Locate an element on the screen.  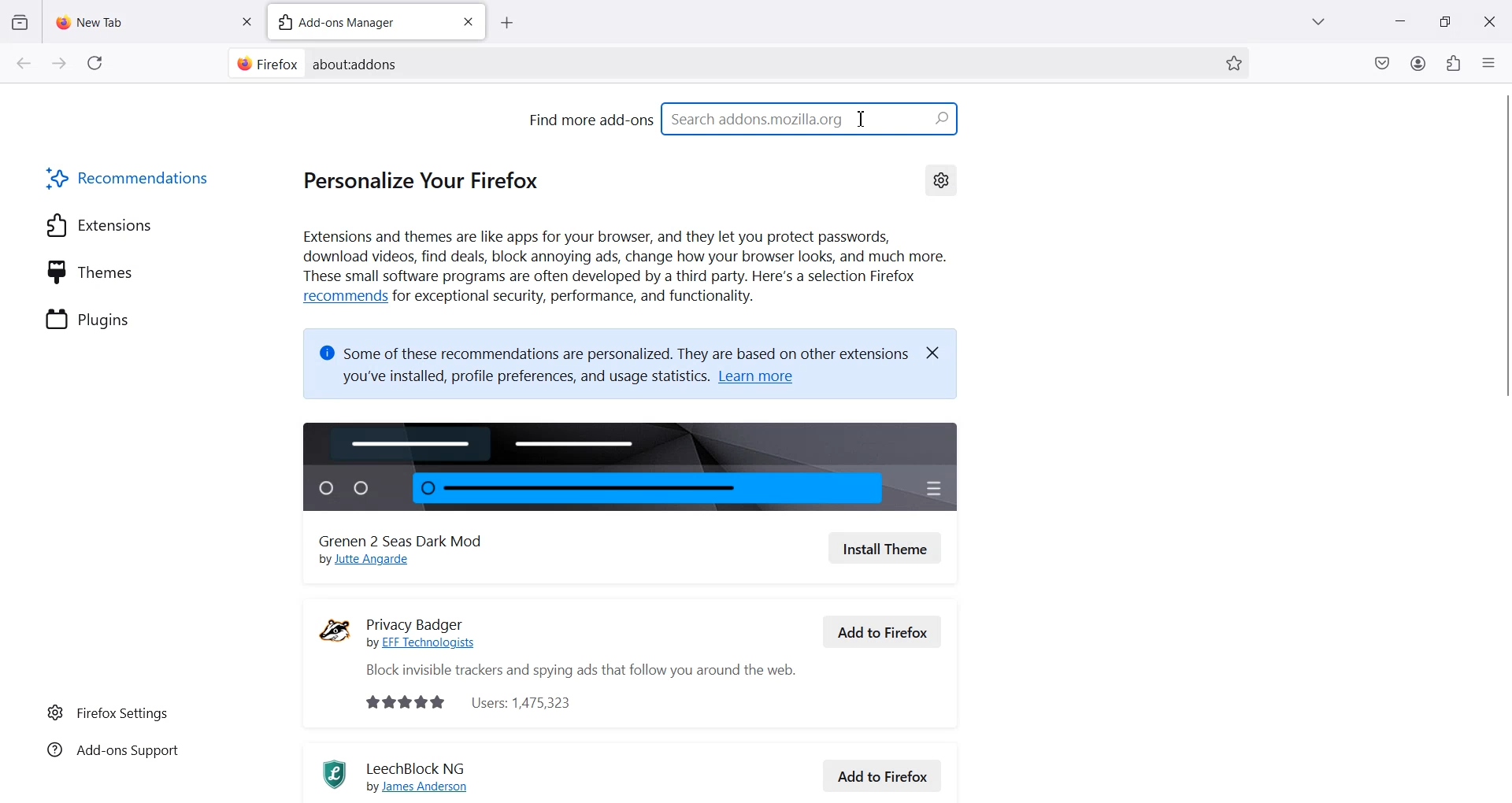
Text is located at coordinates (357, 64).